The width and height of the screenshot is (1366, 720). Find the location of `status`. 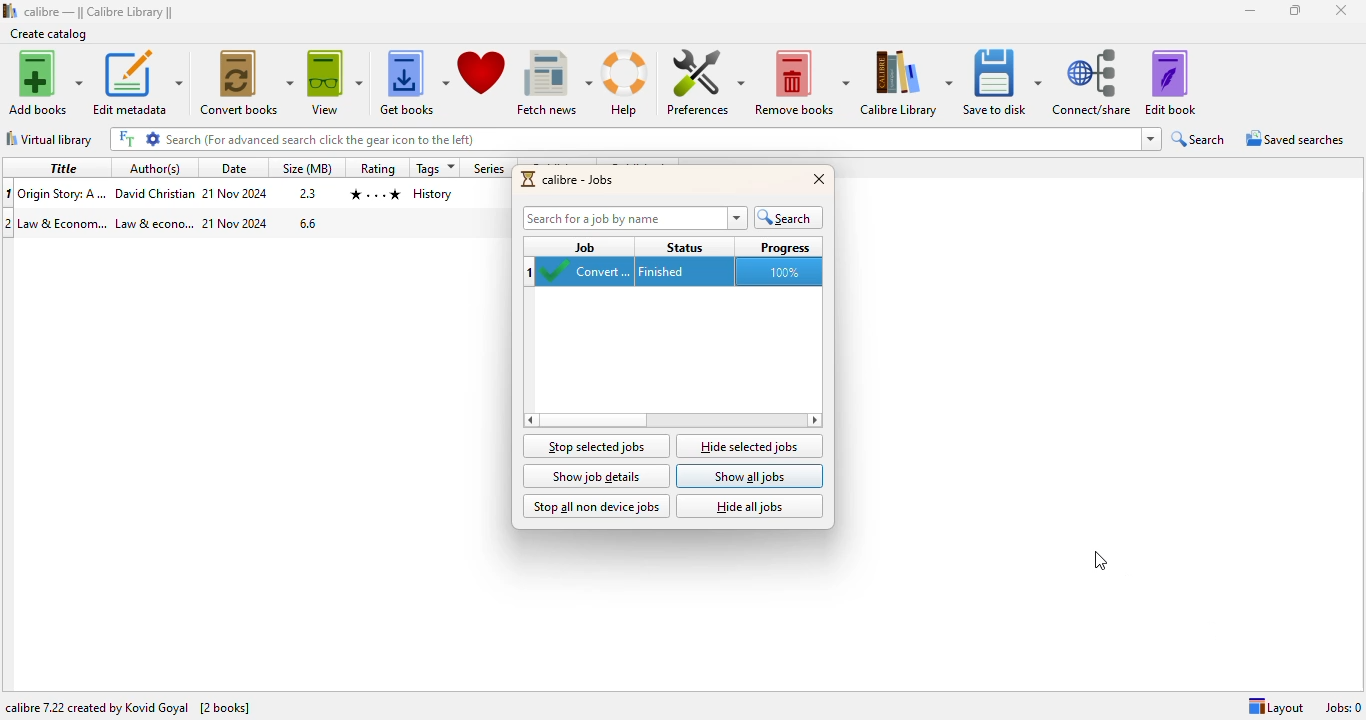

status is located at coordinates (686, 246).